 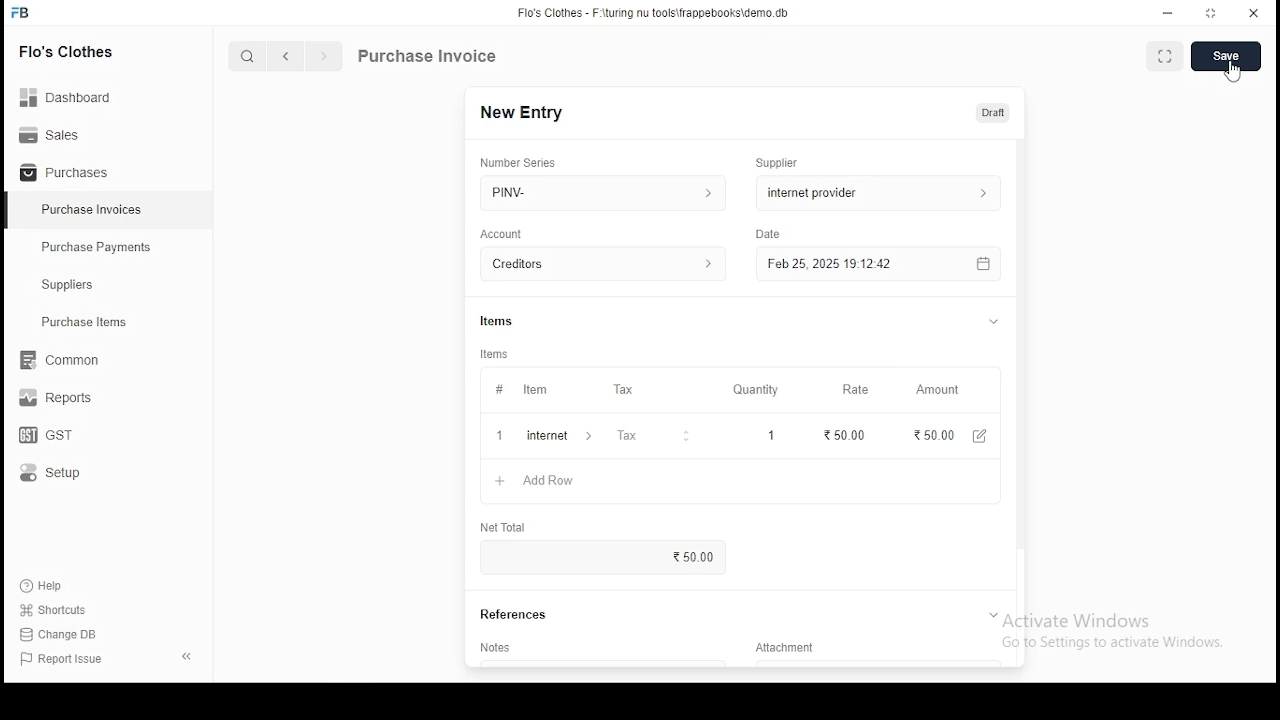 What do you see at coordinates (520, 112) in the screenshot?
I see `new entry` at bounding box center [520, 112].